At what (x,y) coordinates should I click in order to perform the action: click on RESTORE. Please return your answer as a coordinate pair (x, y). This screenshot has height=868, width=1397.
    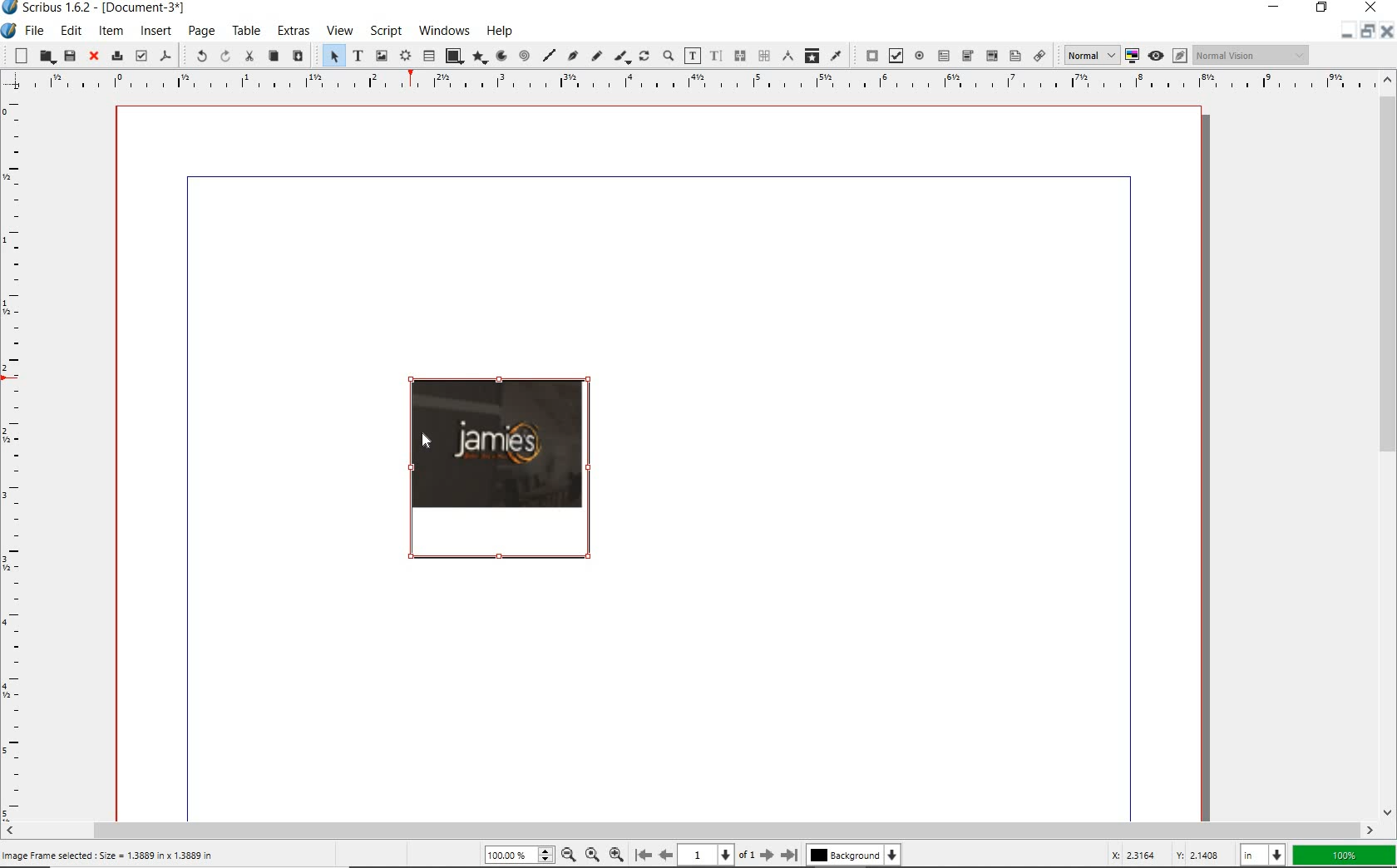
    Looking at the image, I should click on (1322, 8).